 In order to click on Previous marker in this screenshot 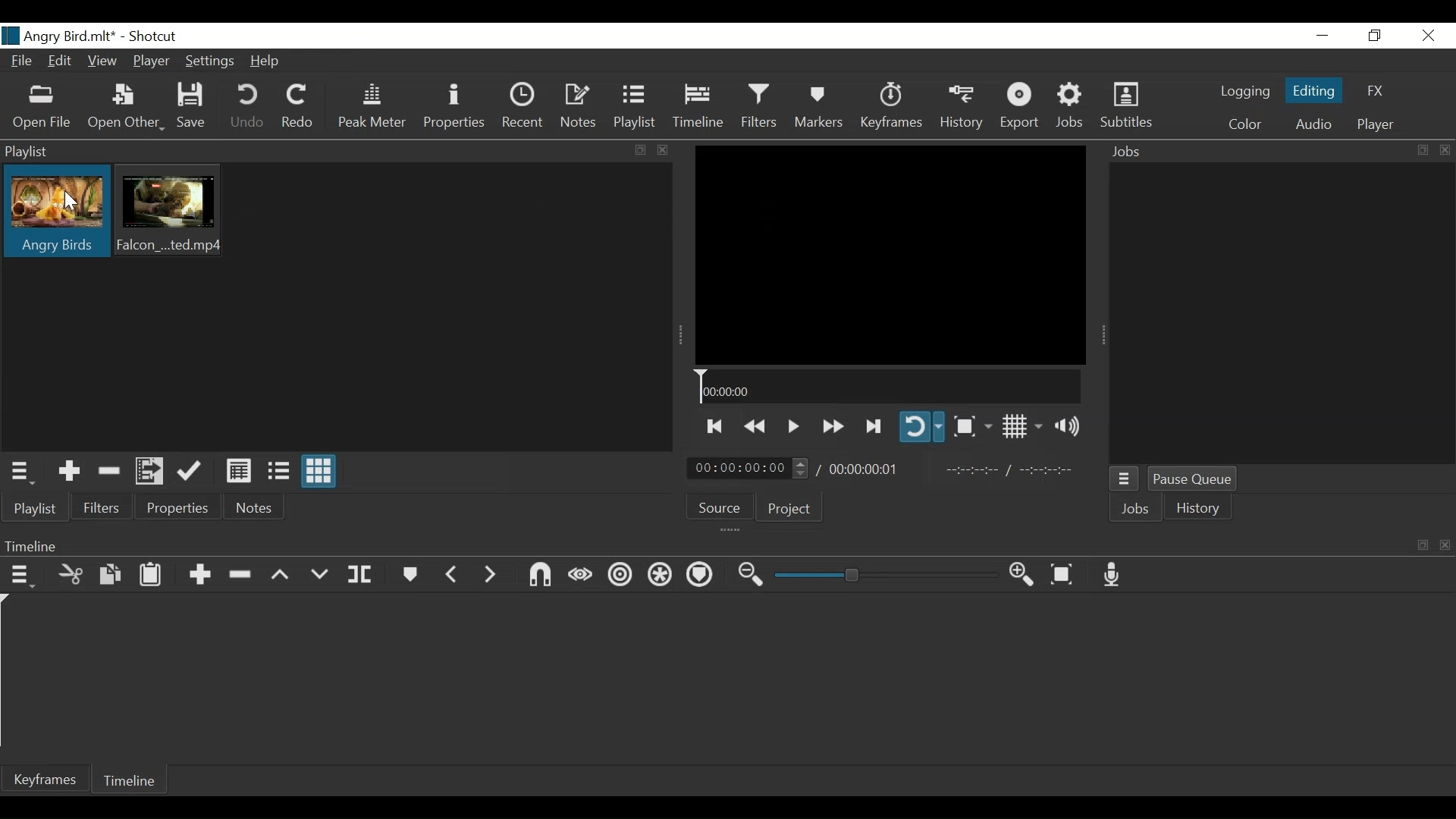, I will do `click(453, 574)`.